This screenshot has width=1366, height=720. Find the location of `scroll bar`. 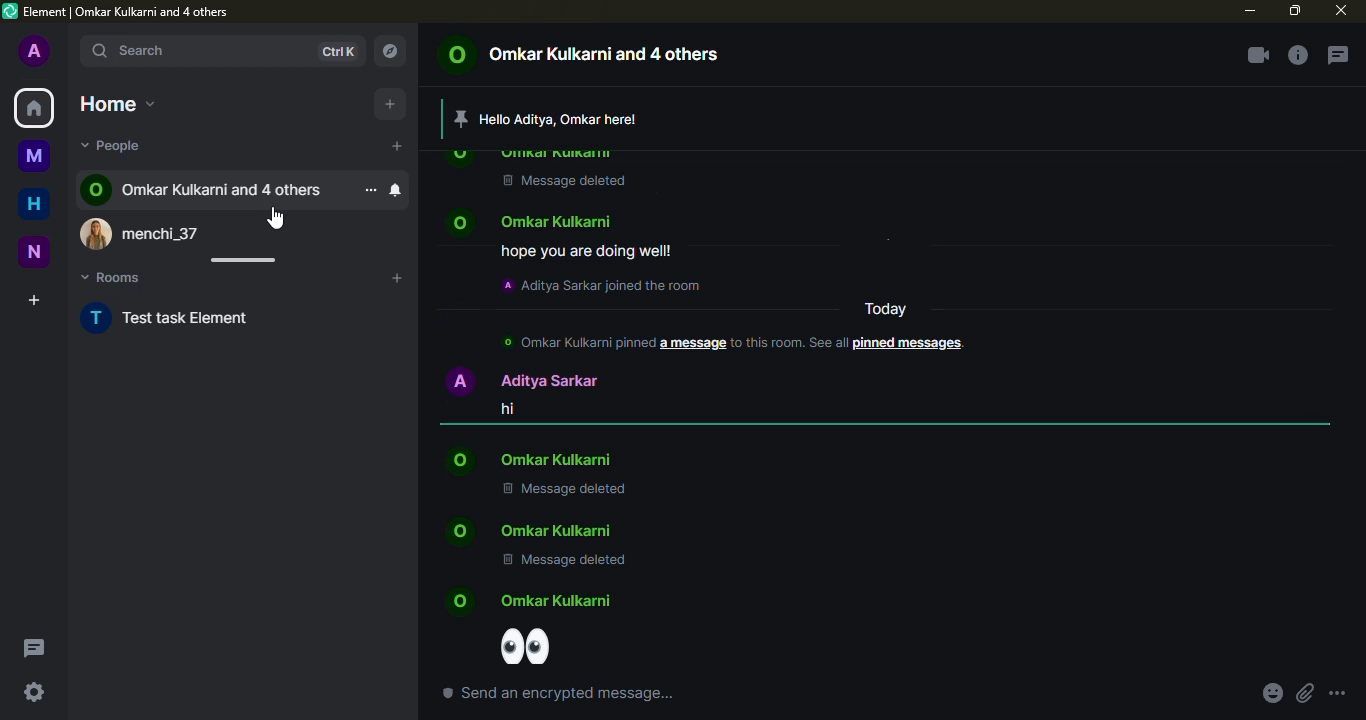

scroll bar is located at coordinates (242, 260).